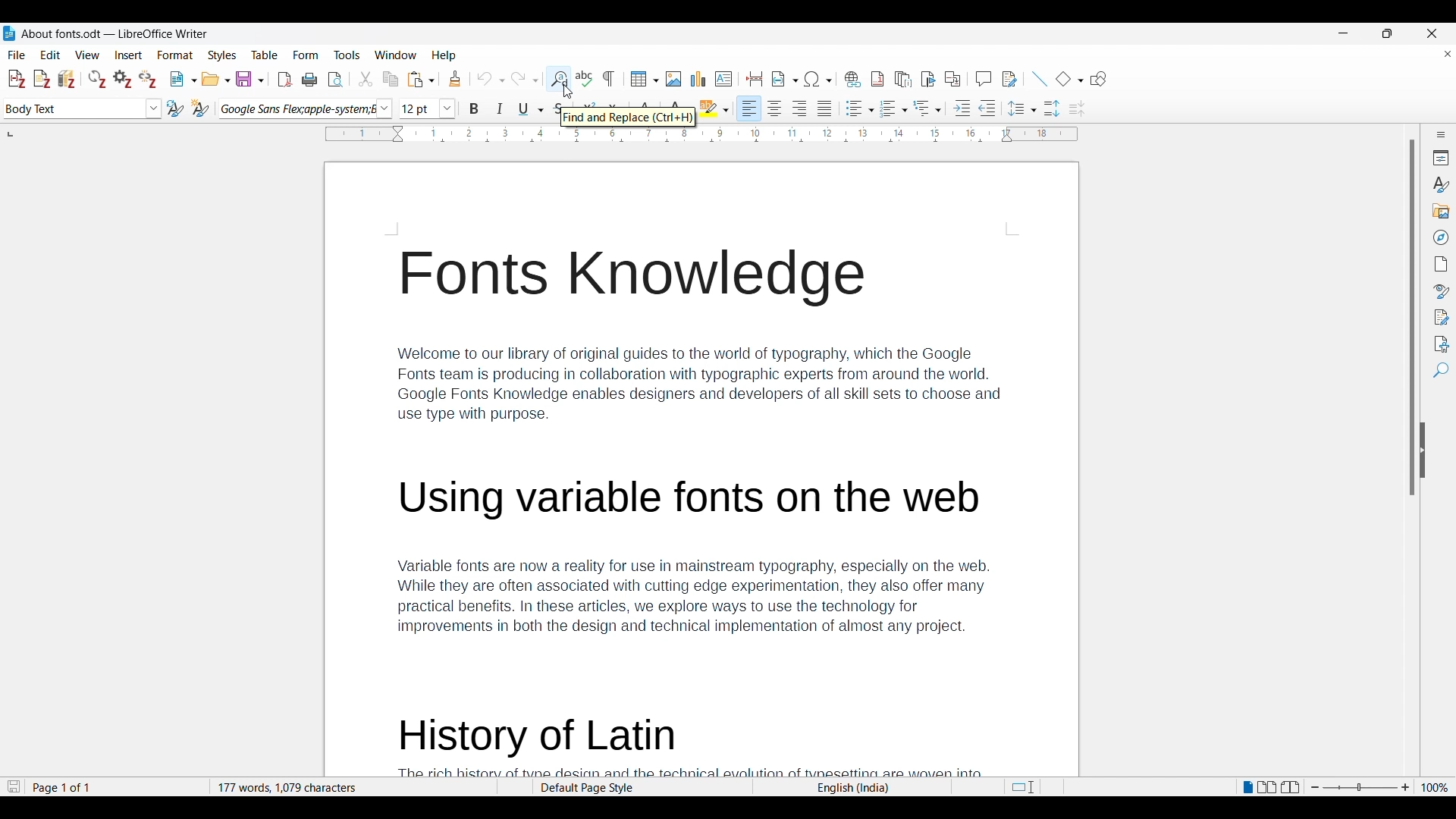  I want to click on Show track changes functions , so click(1009, 79).